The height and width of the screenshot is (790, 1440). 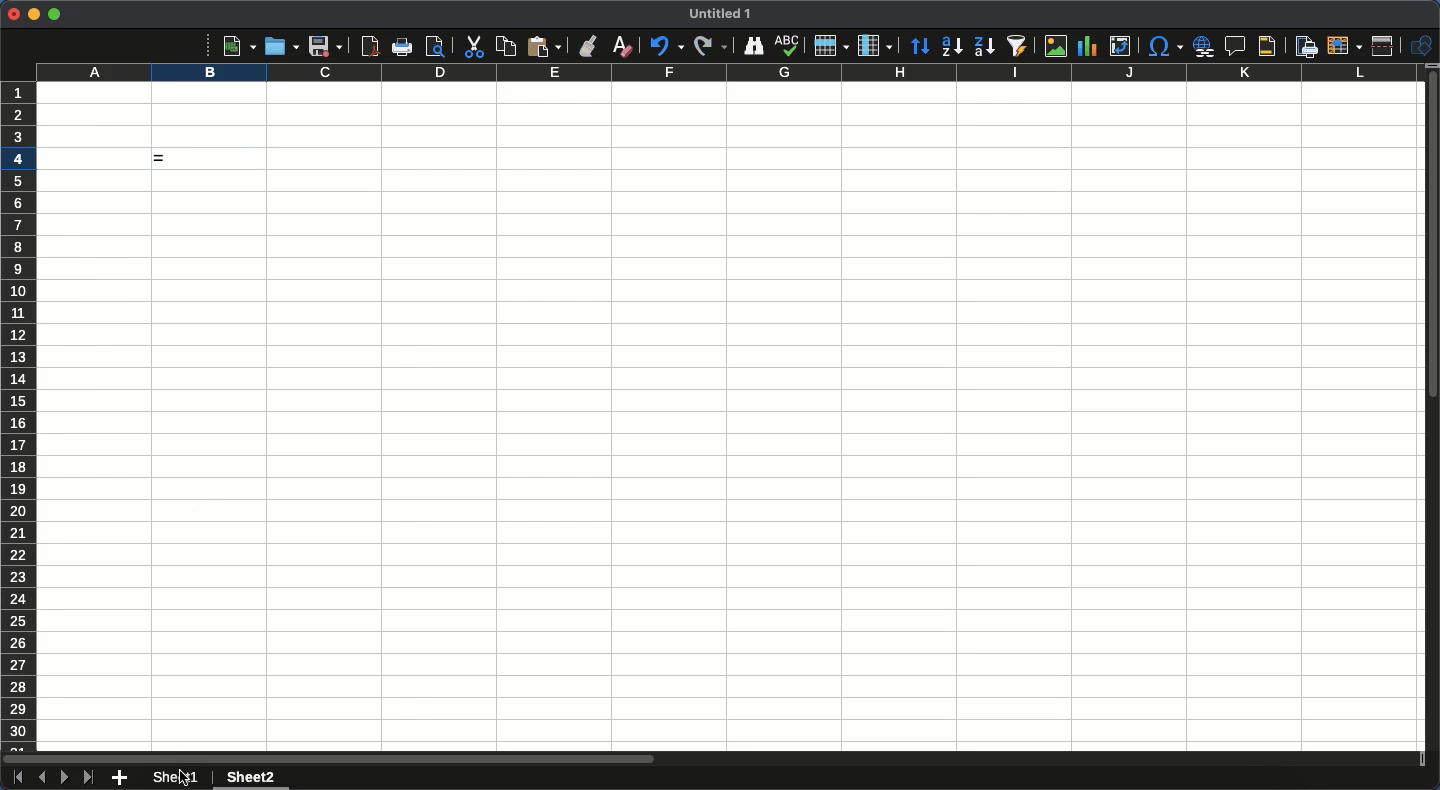 I want to click on Autofilter, so click(x=1016, y=46).